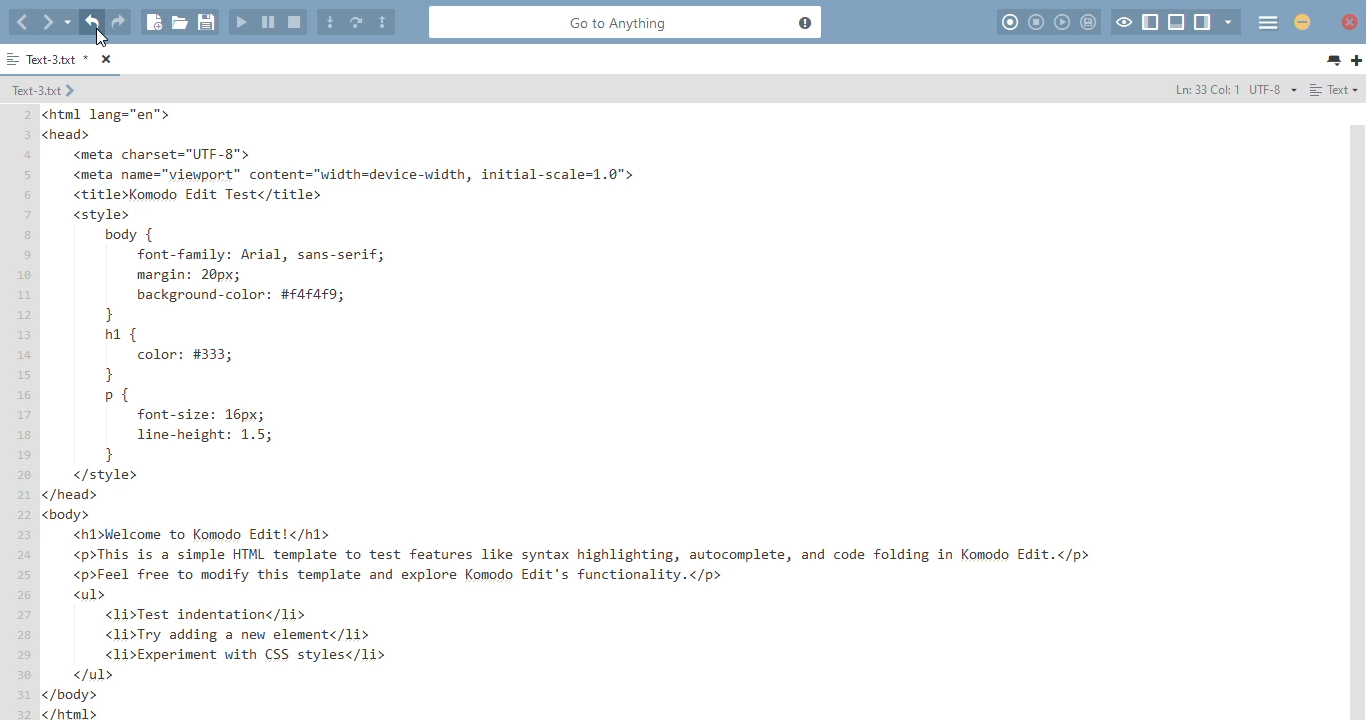 This screenshot has width=1366, height=720. Describe the element at coordinates (1125, 22) in the screenshot. I see `toggle focus mode` at that location.